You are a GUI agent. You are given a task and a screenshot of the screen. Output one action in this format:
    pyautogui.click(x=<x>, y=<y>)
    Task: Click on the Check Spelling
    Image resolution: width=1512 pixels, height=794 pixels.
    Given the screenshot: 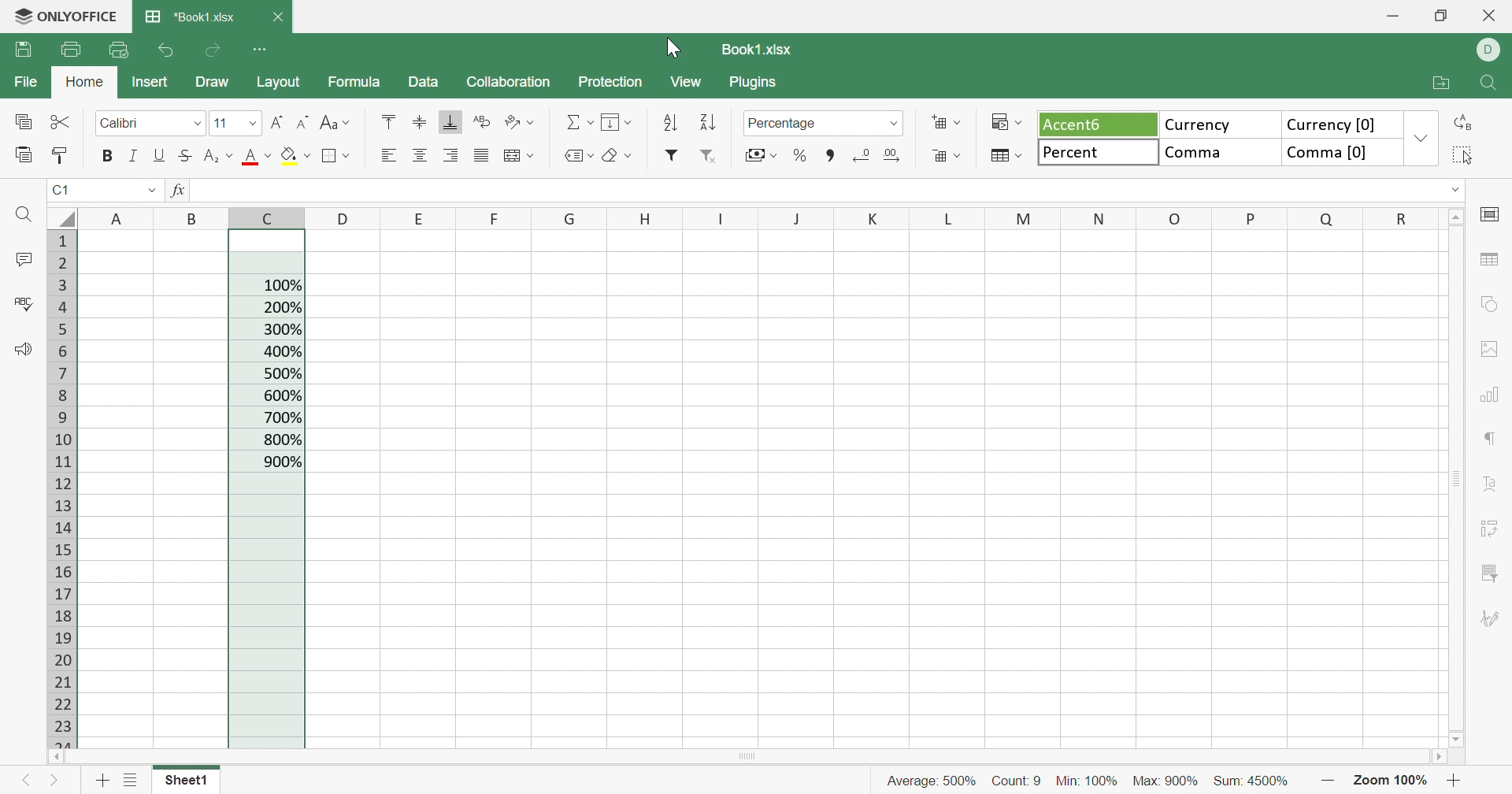 What is the action you would take?
    pyautogui.click(x=23, y=305)
    